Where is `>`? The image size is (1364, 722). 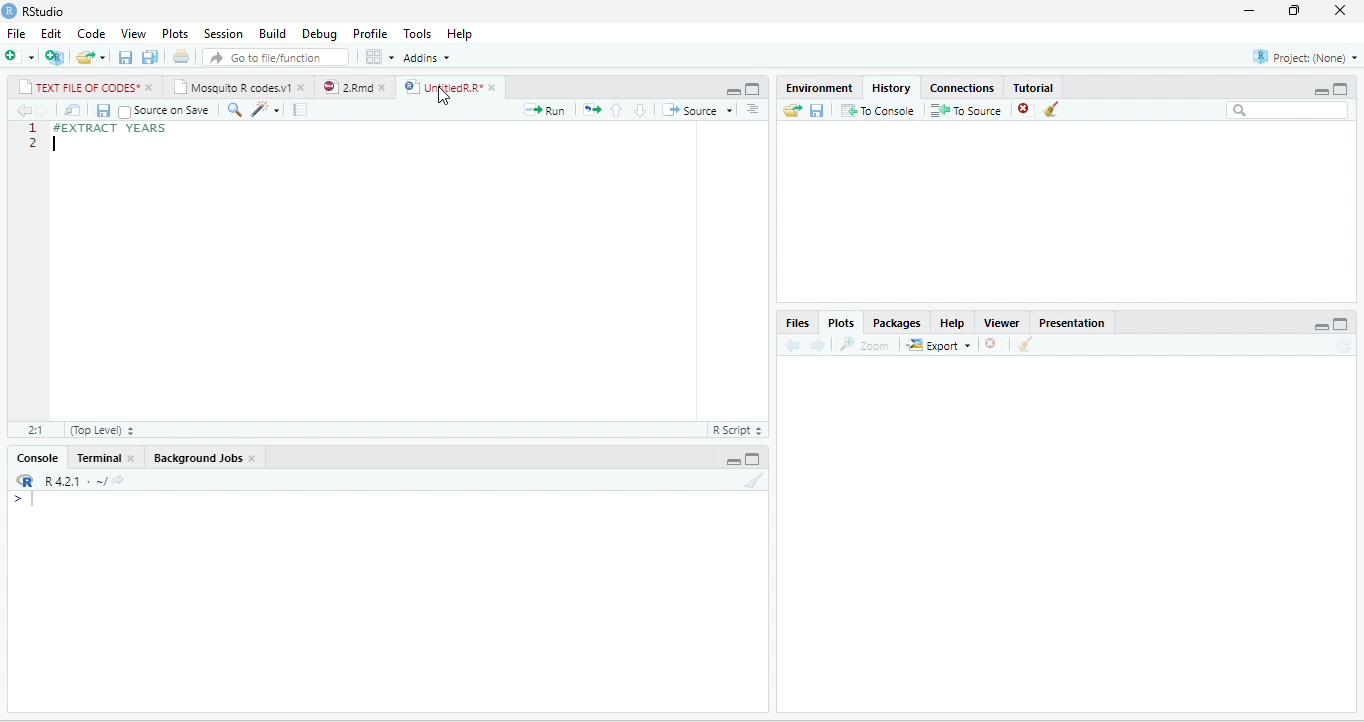
> is located at coordinates (24, 500).